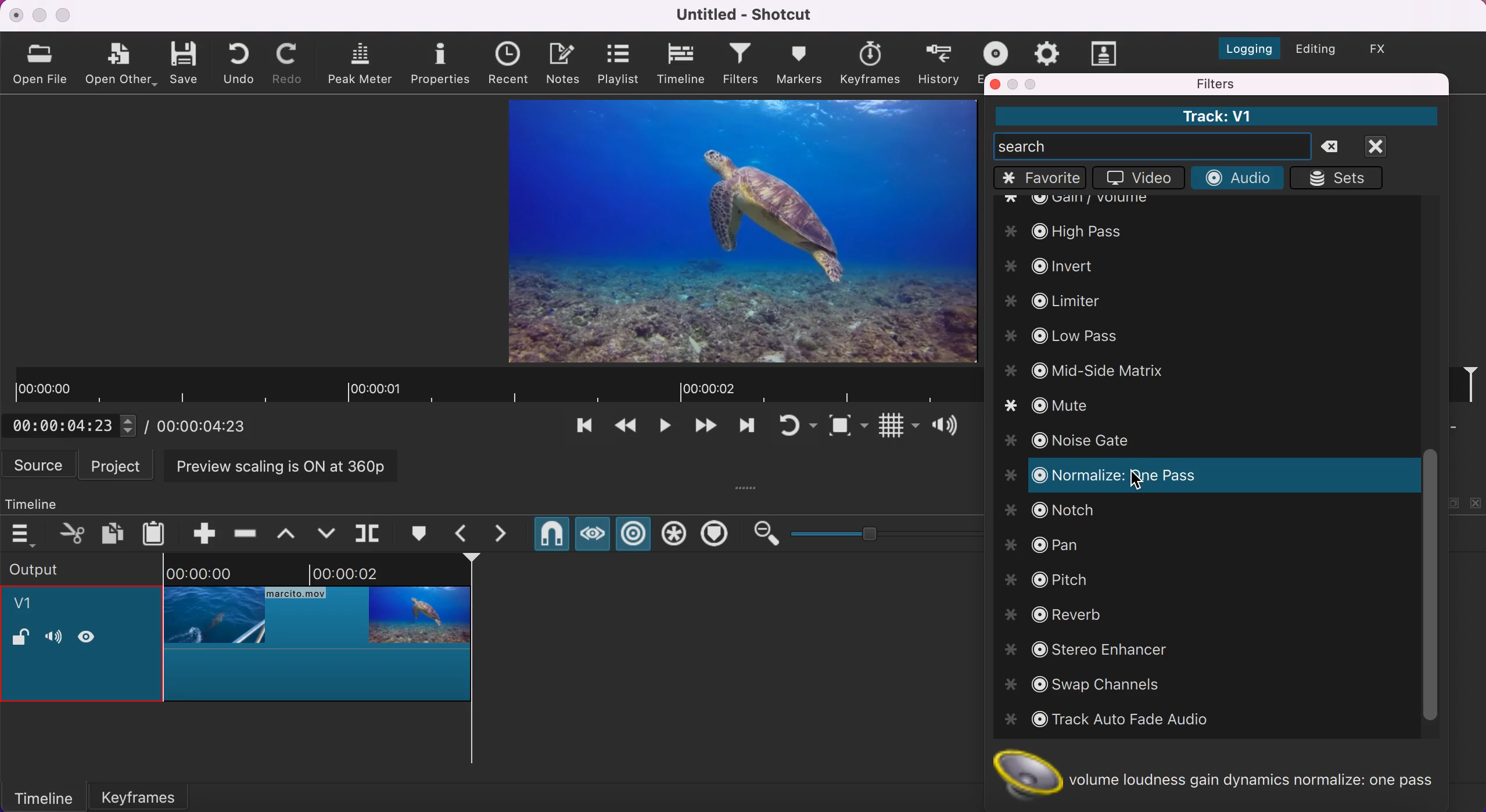 The image size is (1486, 812). What do you see at coordinates (869, 63) in the screenshot?
I see `keyframes` at bounding box center [869, 63].